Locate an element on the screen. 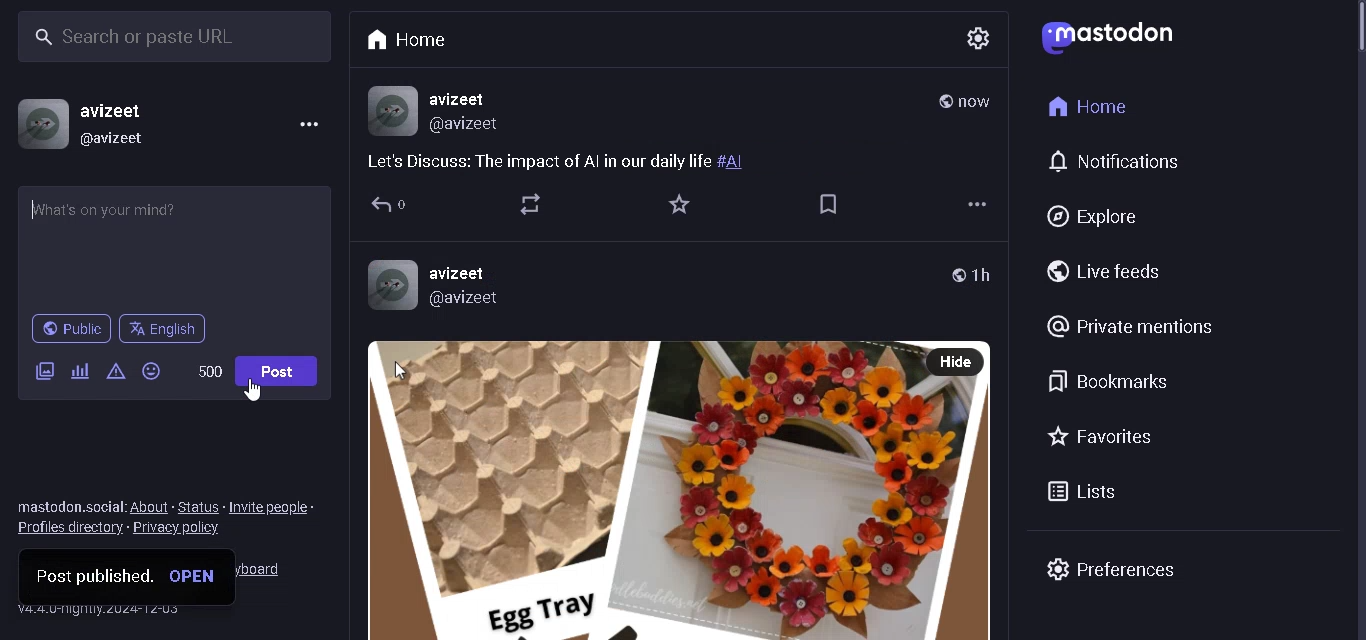 This screenshot has width=1366, height=640. setting is located at coordinates (985, 39).